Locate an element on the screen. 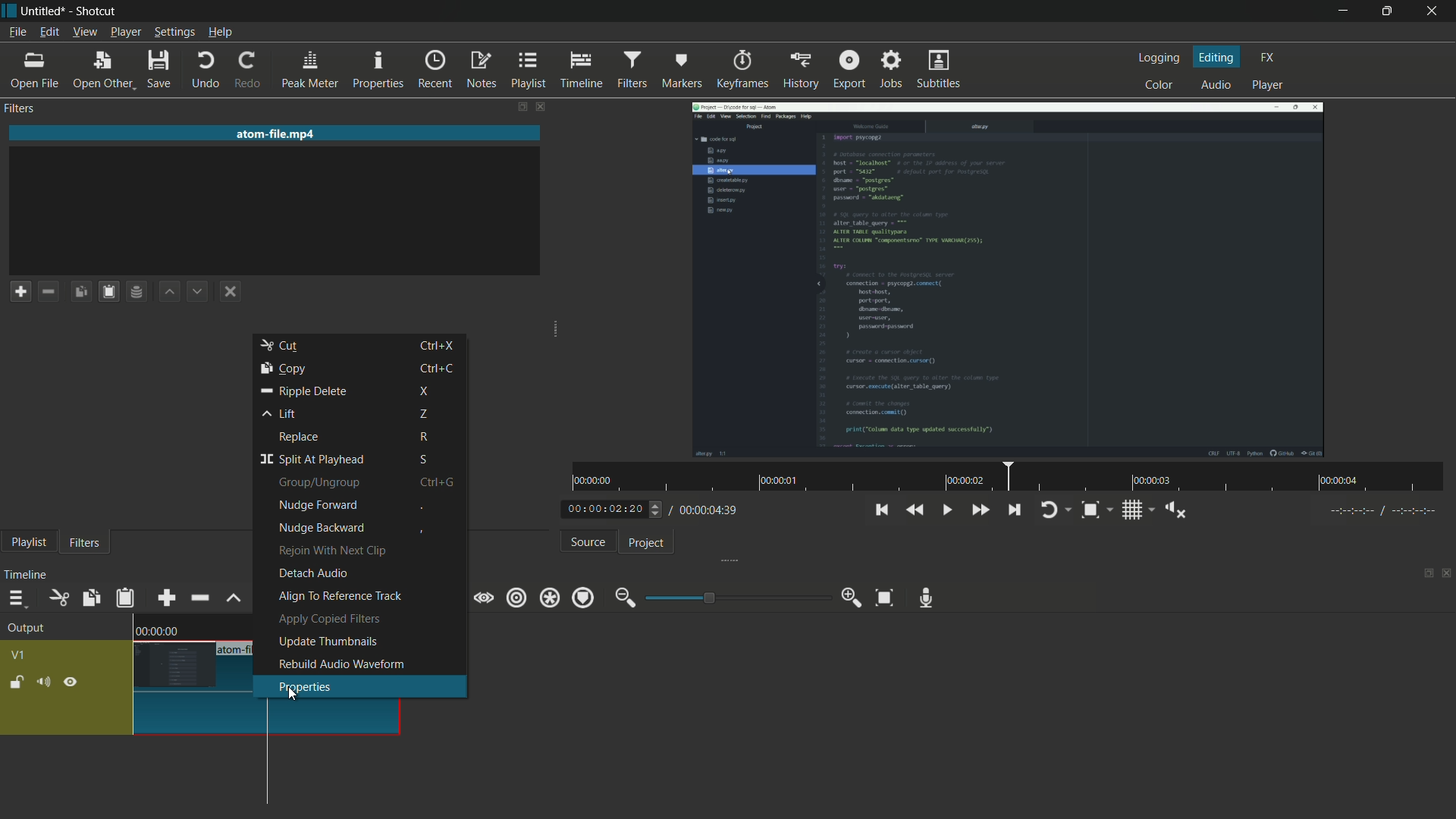 The image size is (1456, 819). properties is located at coordinates (303, 684).